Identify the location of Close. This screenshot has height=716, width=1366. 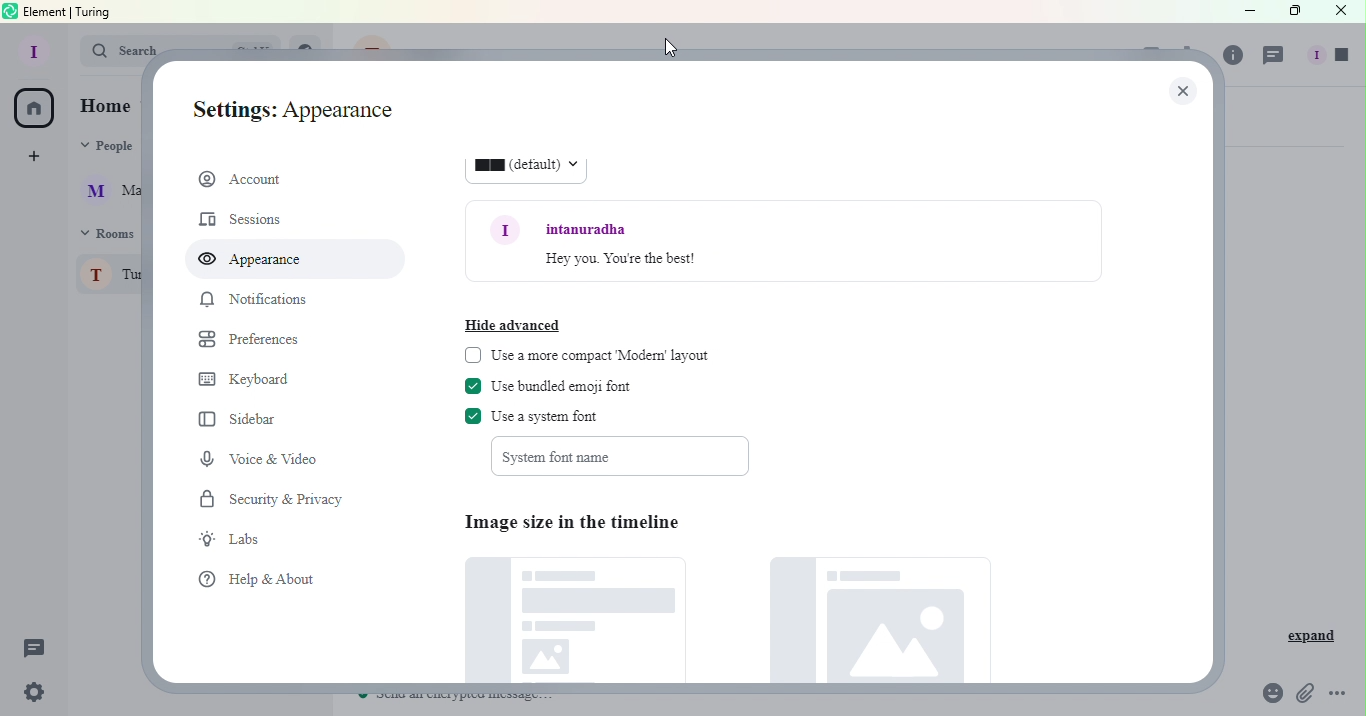
(1342, 12).